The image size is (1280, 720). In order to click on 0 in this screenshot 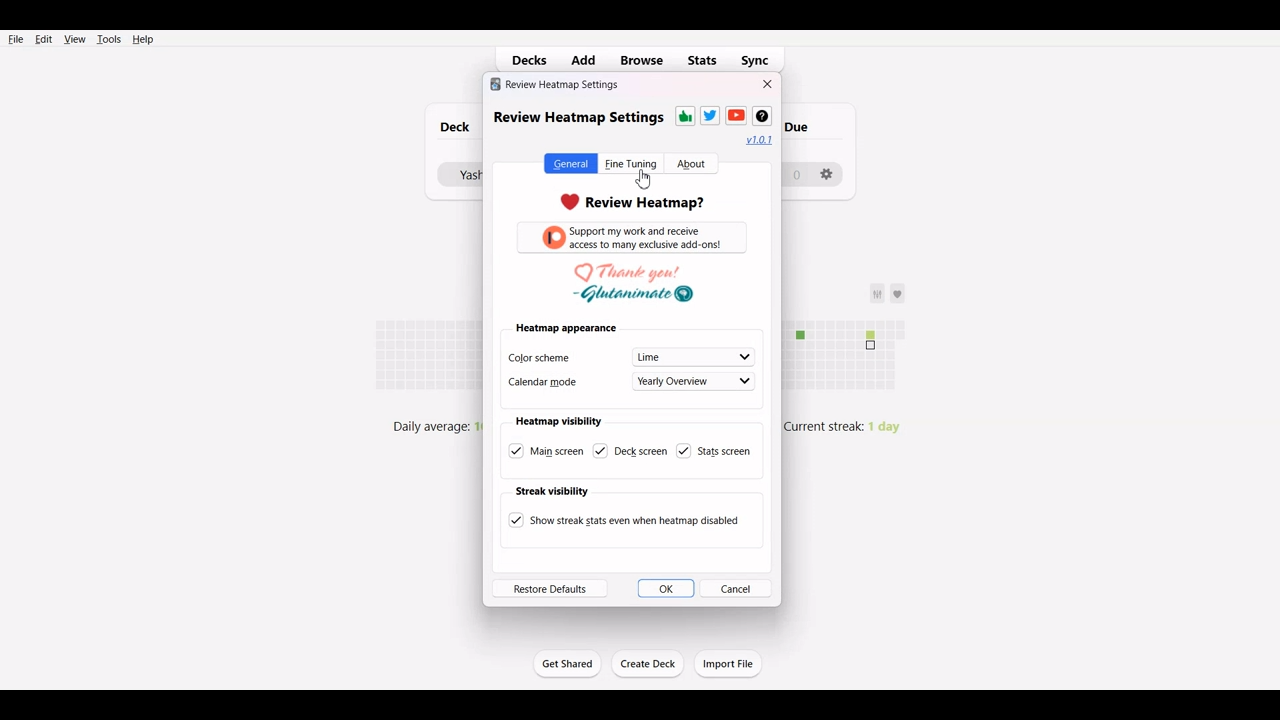, I will do `click(797, 173)`.